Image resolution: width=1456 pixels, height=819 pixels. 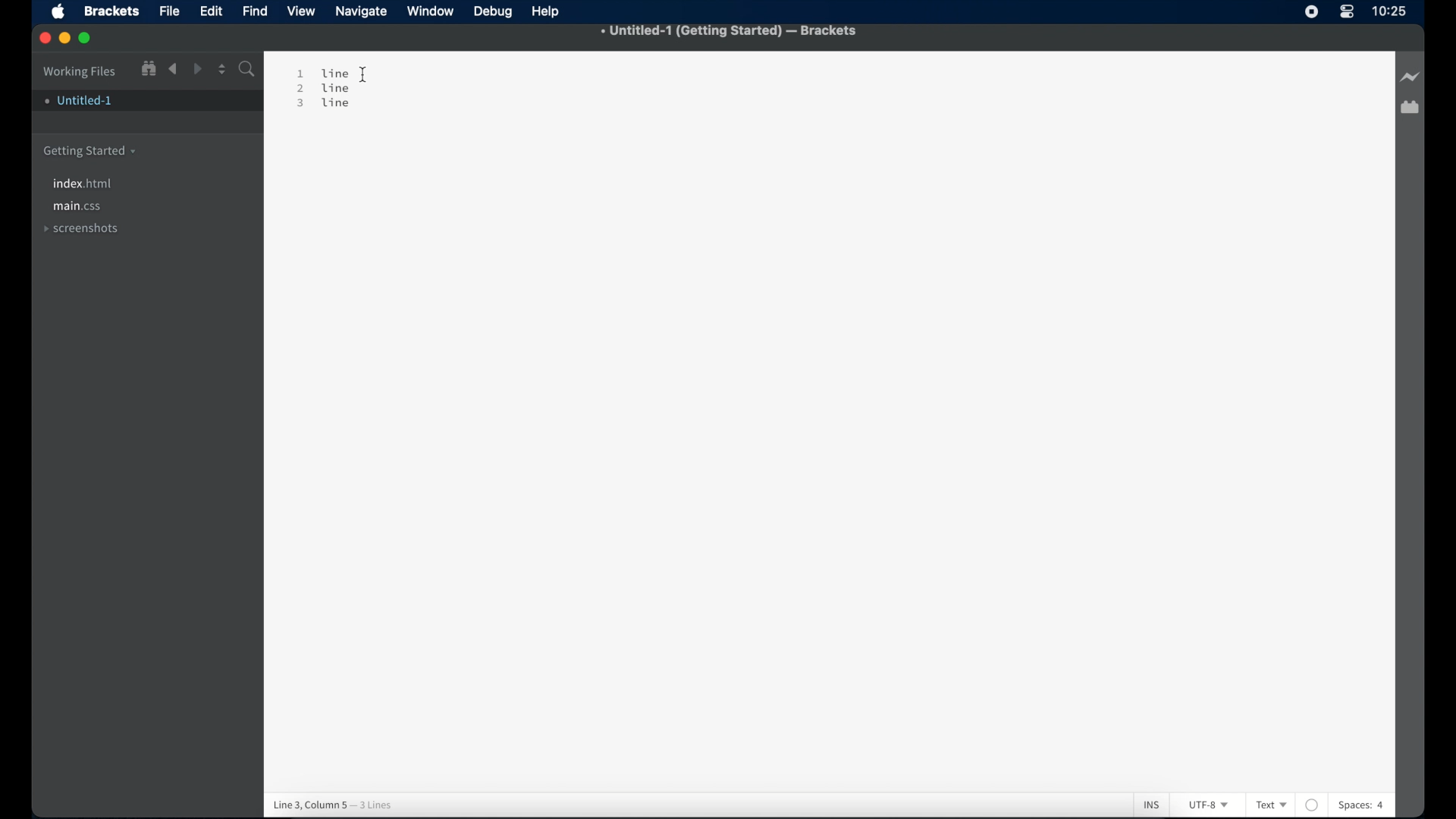 I want to click on apple icon, so click(x=58, y=11).